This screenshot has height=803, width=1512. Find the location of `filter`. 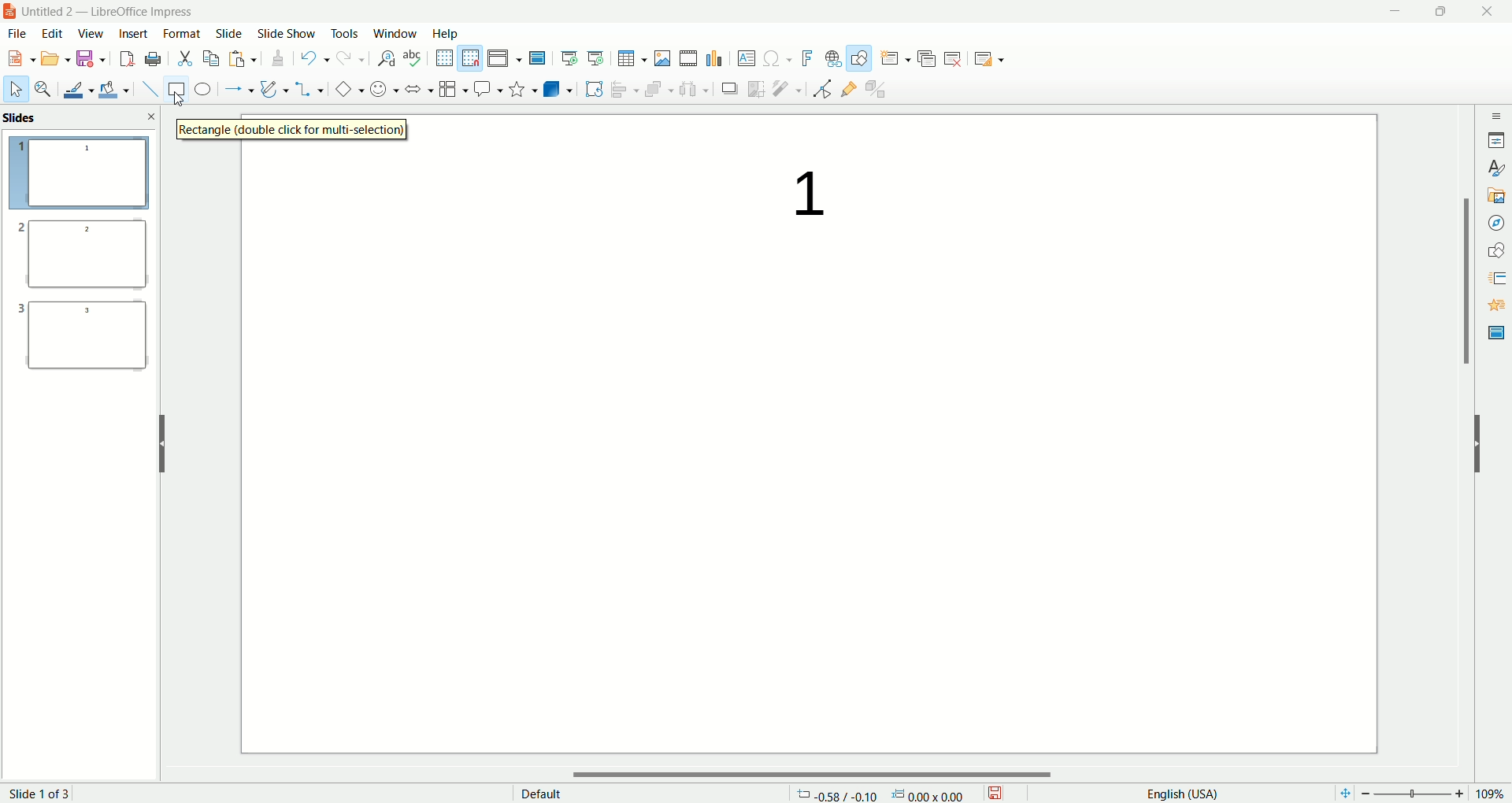

filter is located at coordinates (787, 89).